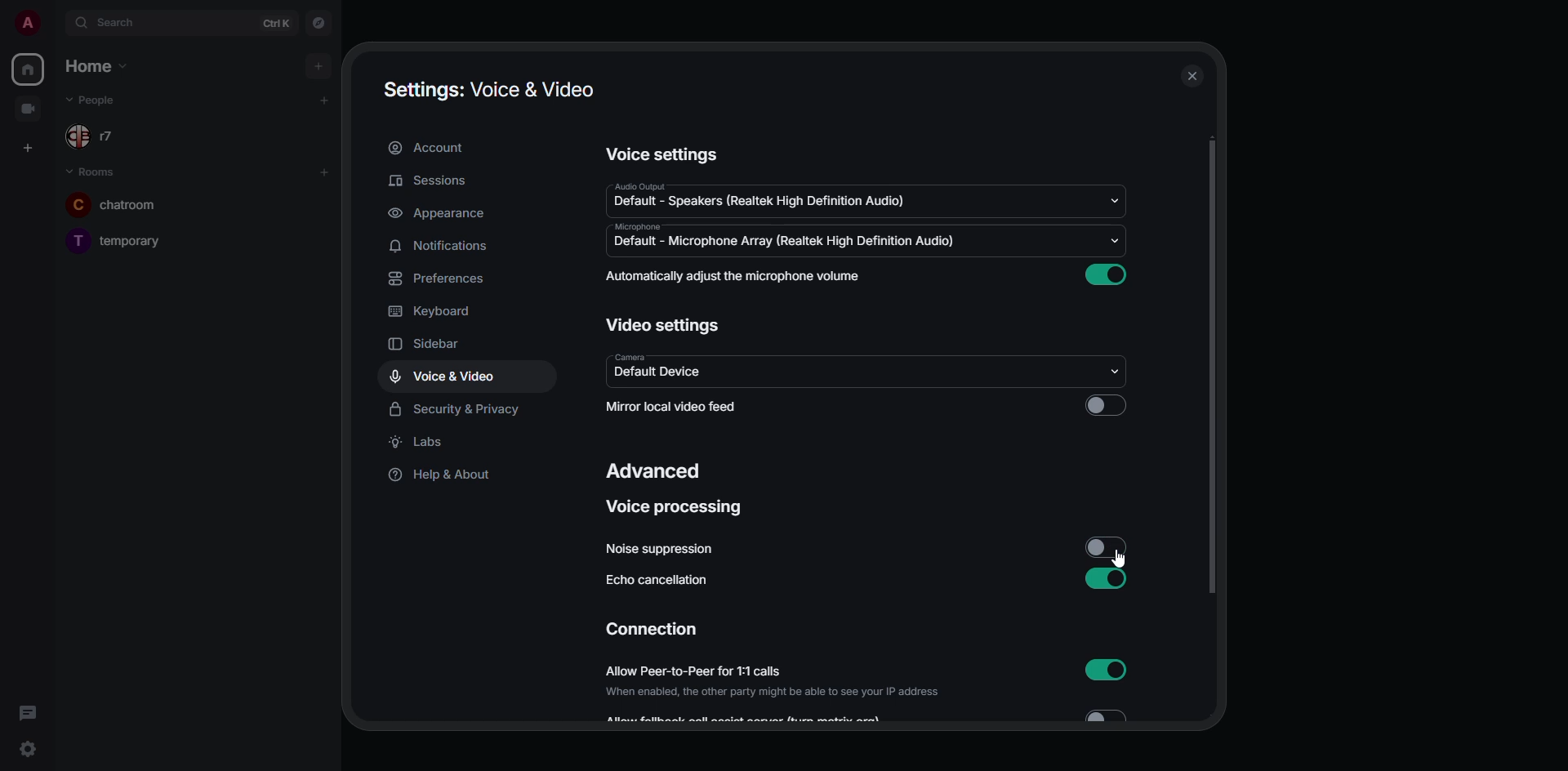 Image resolution: width=1568 pixels, height=771 pixels. Describe the element at coordinates (437, 213) in the screenshot. I see `appearance` at that location.